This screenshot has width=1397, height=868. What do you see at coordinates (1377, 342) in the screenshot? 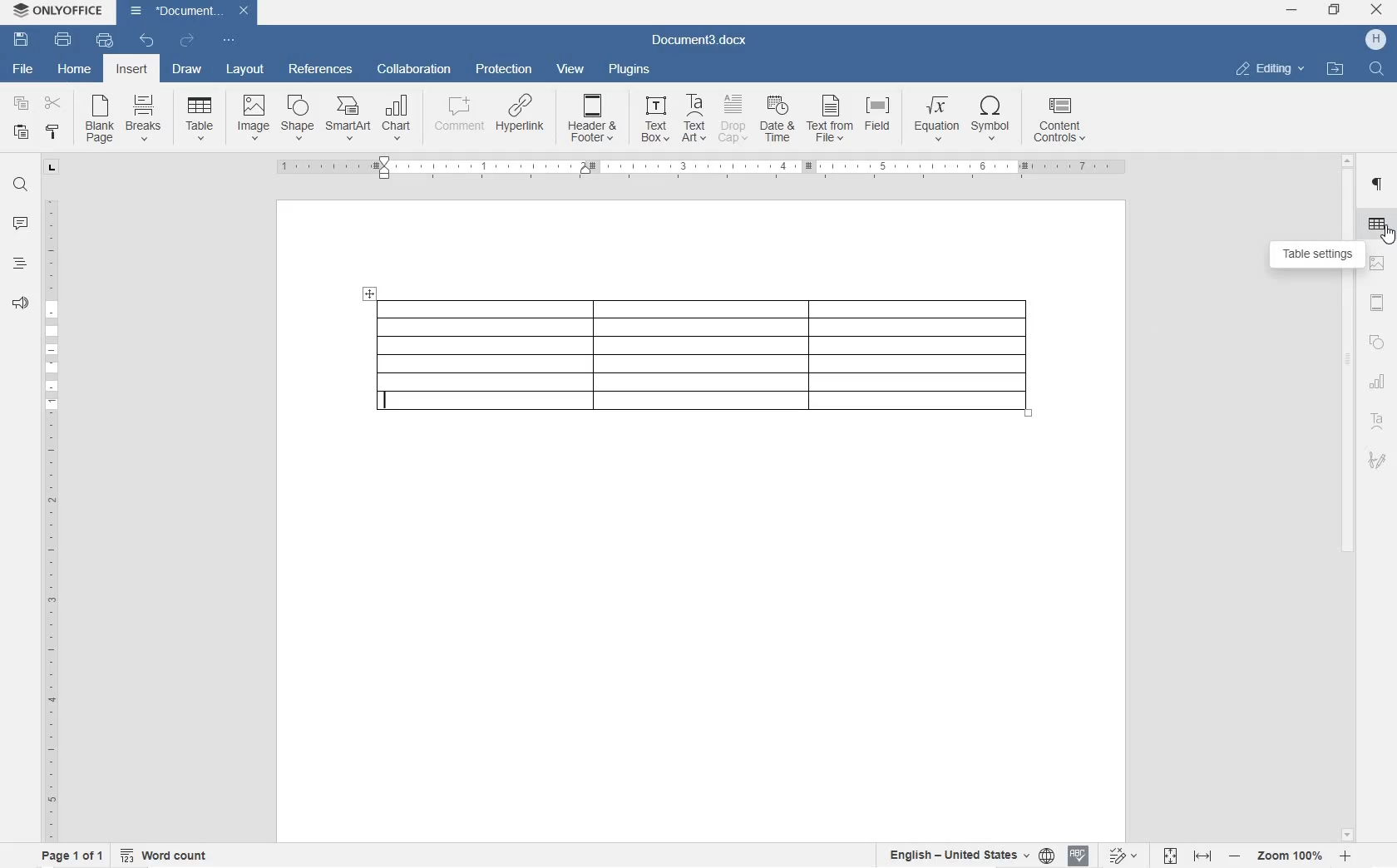
I see `SHAPE` at bounding box center [1377, 342].